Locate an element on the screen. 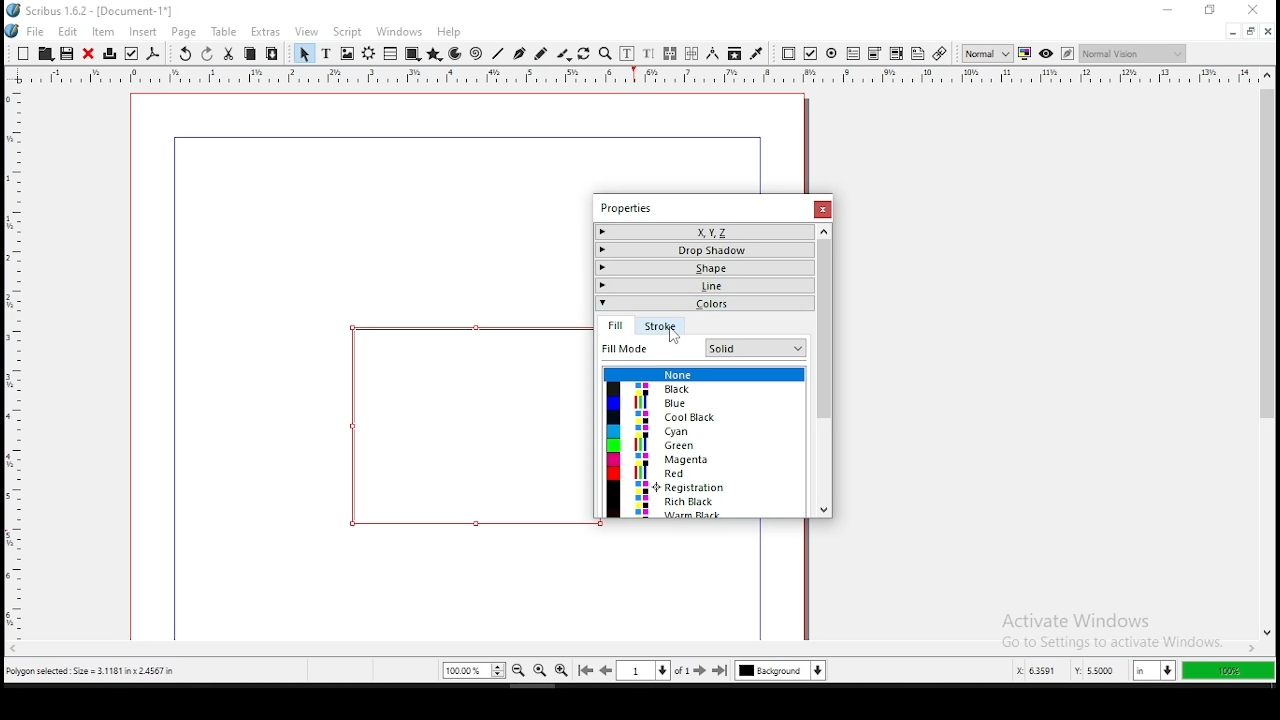 This screenshot has width=1280, height=720. cursor is located at coordinates (671, 336).